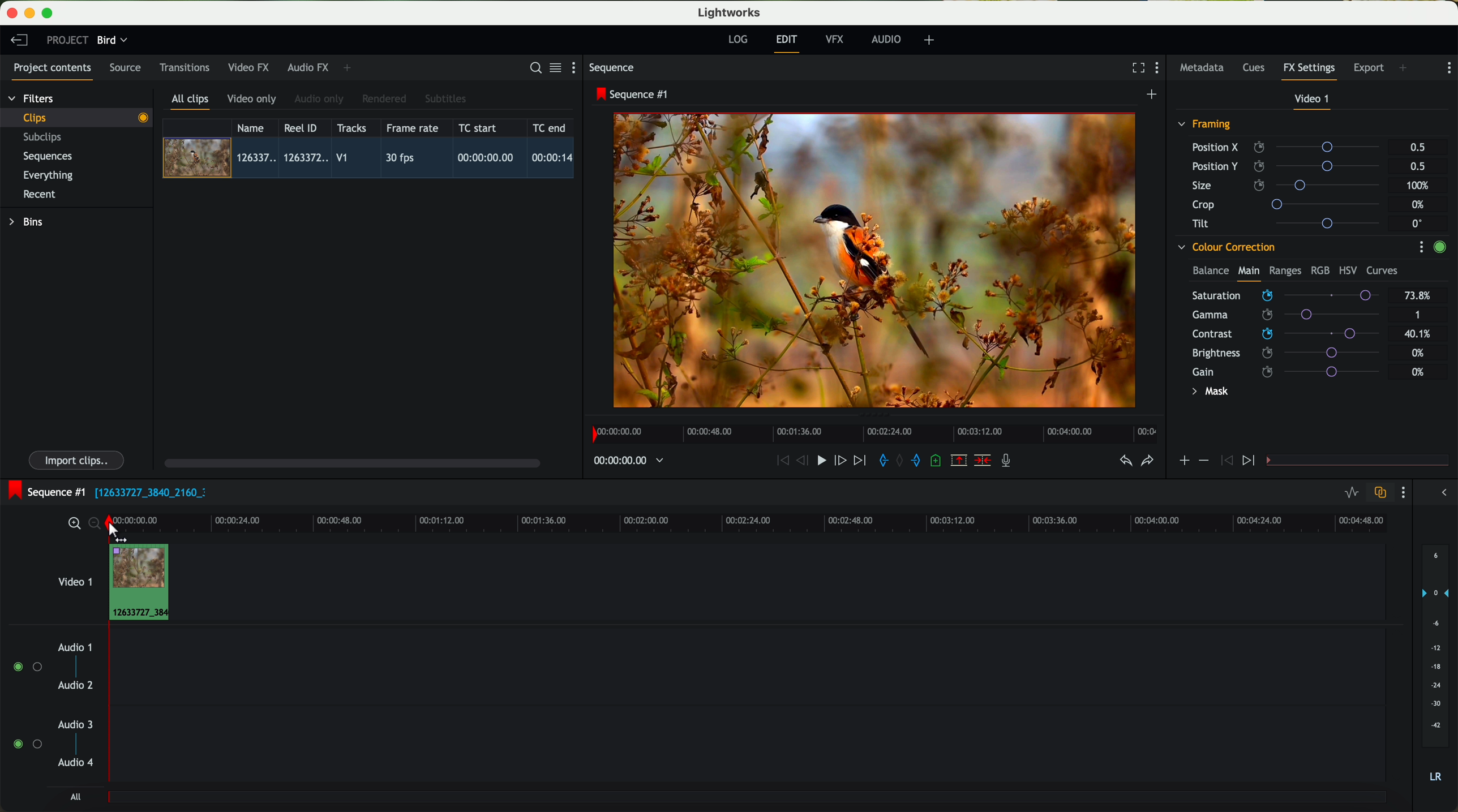  What do you see at coordinates (1208, 393) in the screenshot?
I see `mask` at bounding box center [1208, 393].